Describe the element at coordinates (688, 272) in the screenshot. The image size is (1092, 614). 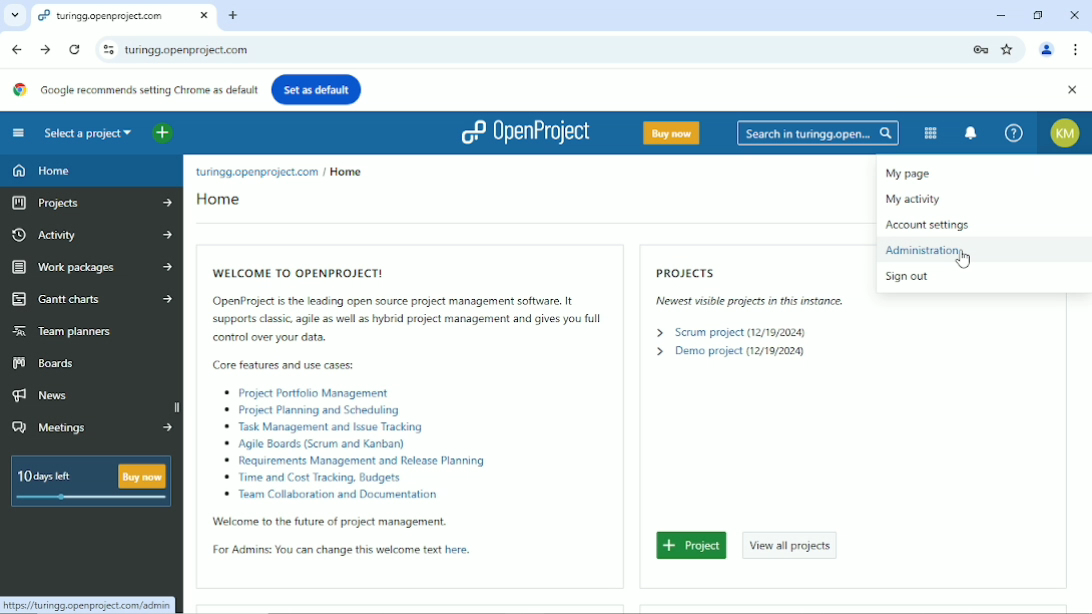
I see `Projects` at that location.